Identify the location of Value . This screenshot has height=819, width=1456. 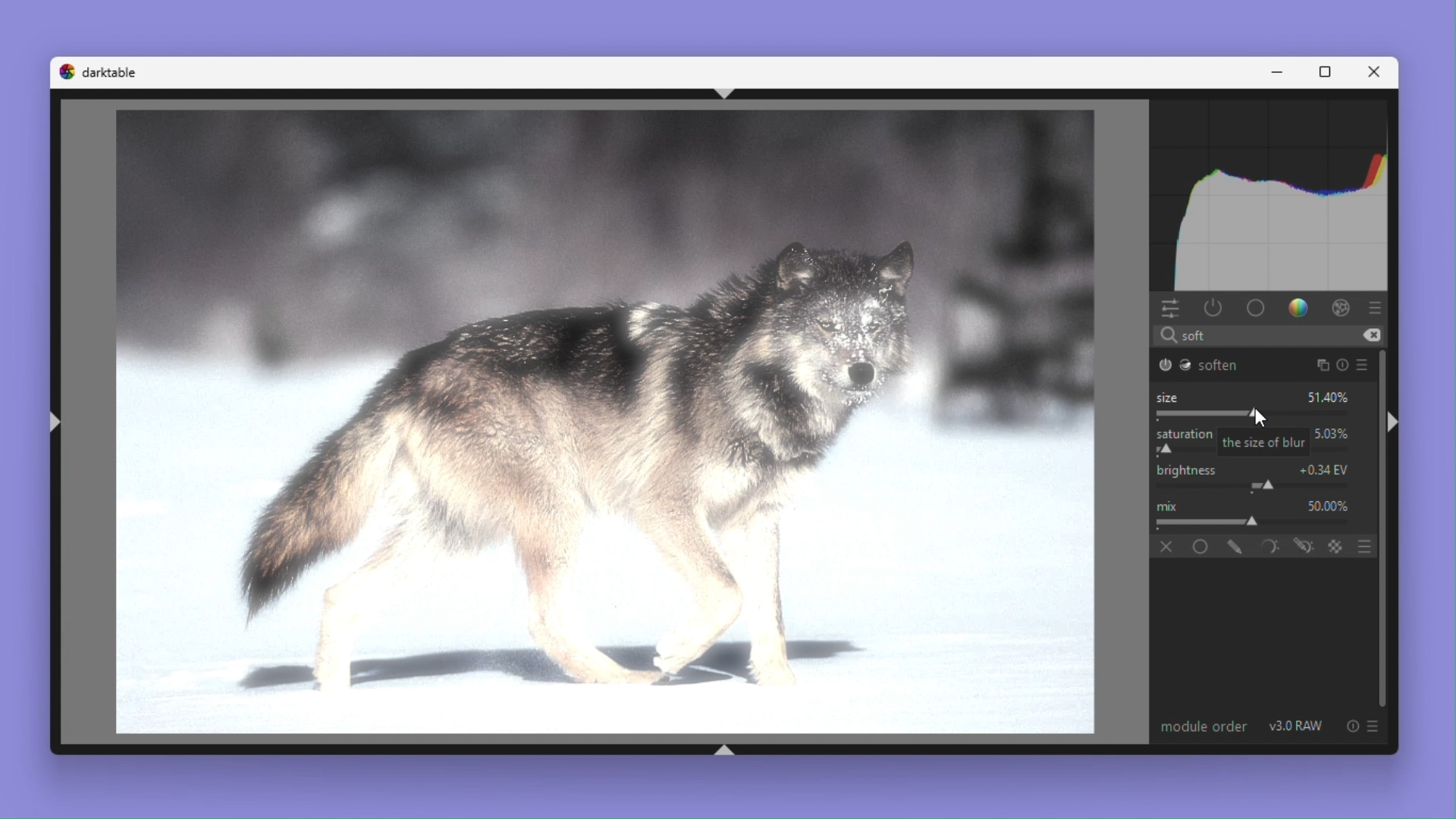
(1332, 397).